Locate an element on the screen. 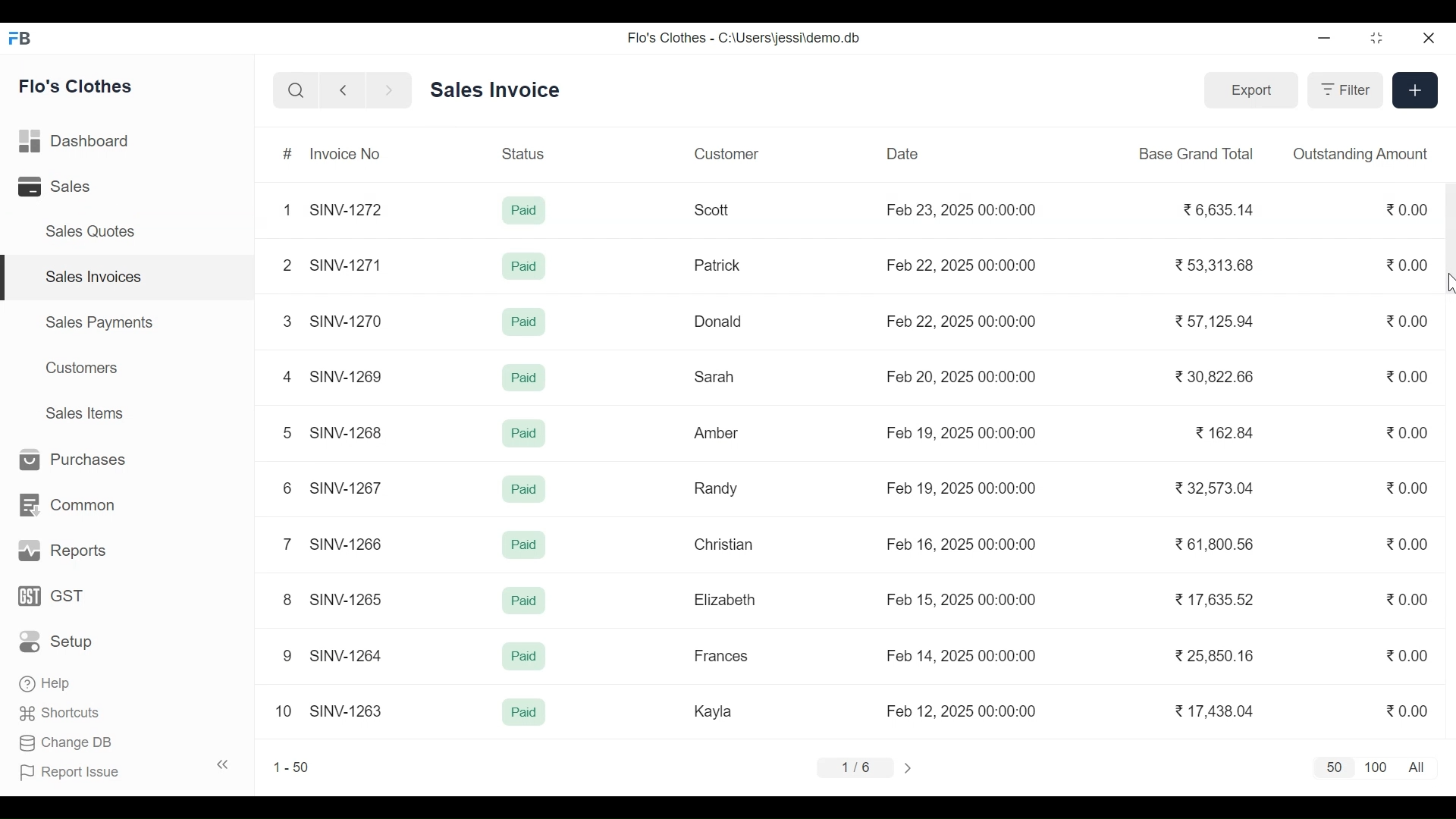 This screenshot has height=819, width=1456. 0.00 is located at coordinates (1408, 488).